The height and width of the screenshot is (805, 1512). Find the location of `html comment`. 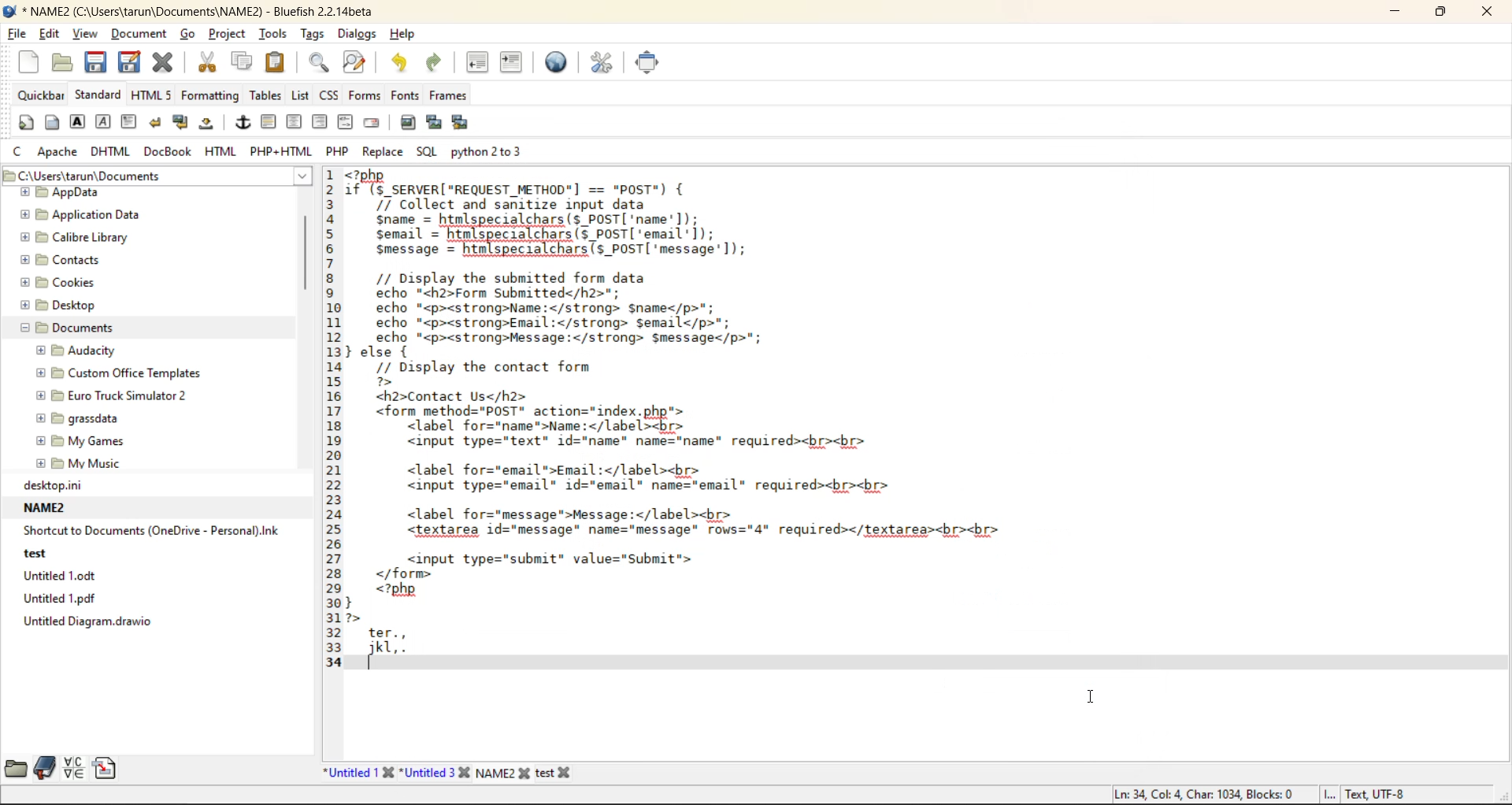

html comment is located at coordinates (346, 123).